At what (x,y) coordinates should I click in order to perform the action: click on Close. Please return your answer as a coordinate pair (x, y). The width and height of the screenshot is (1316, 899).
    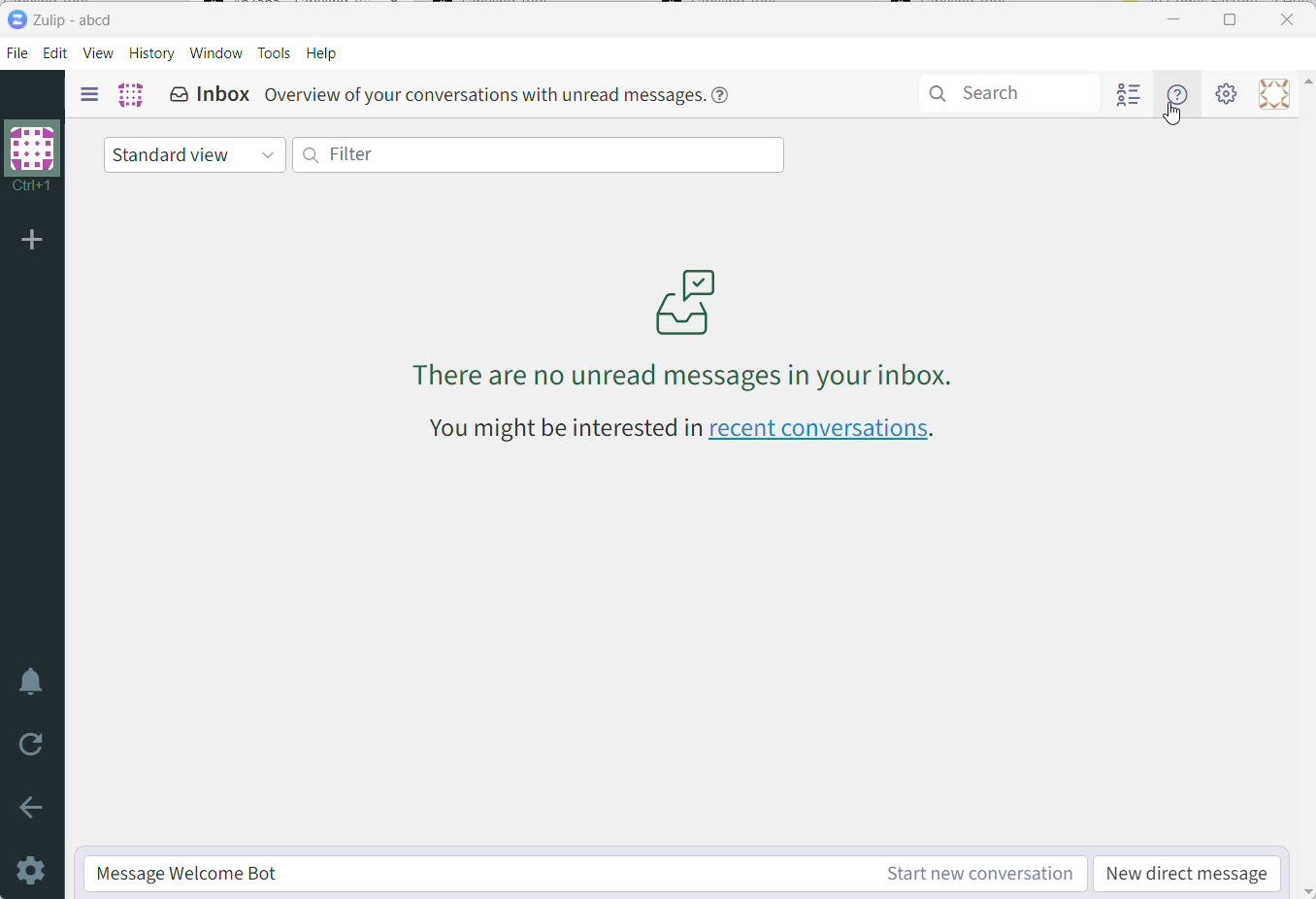
    Looking at the image, I should click on (1290, 17).